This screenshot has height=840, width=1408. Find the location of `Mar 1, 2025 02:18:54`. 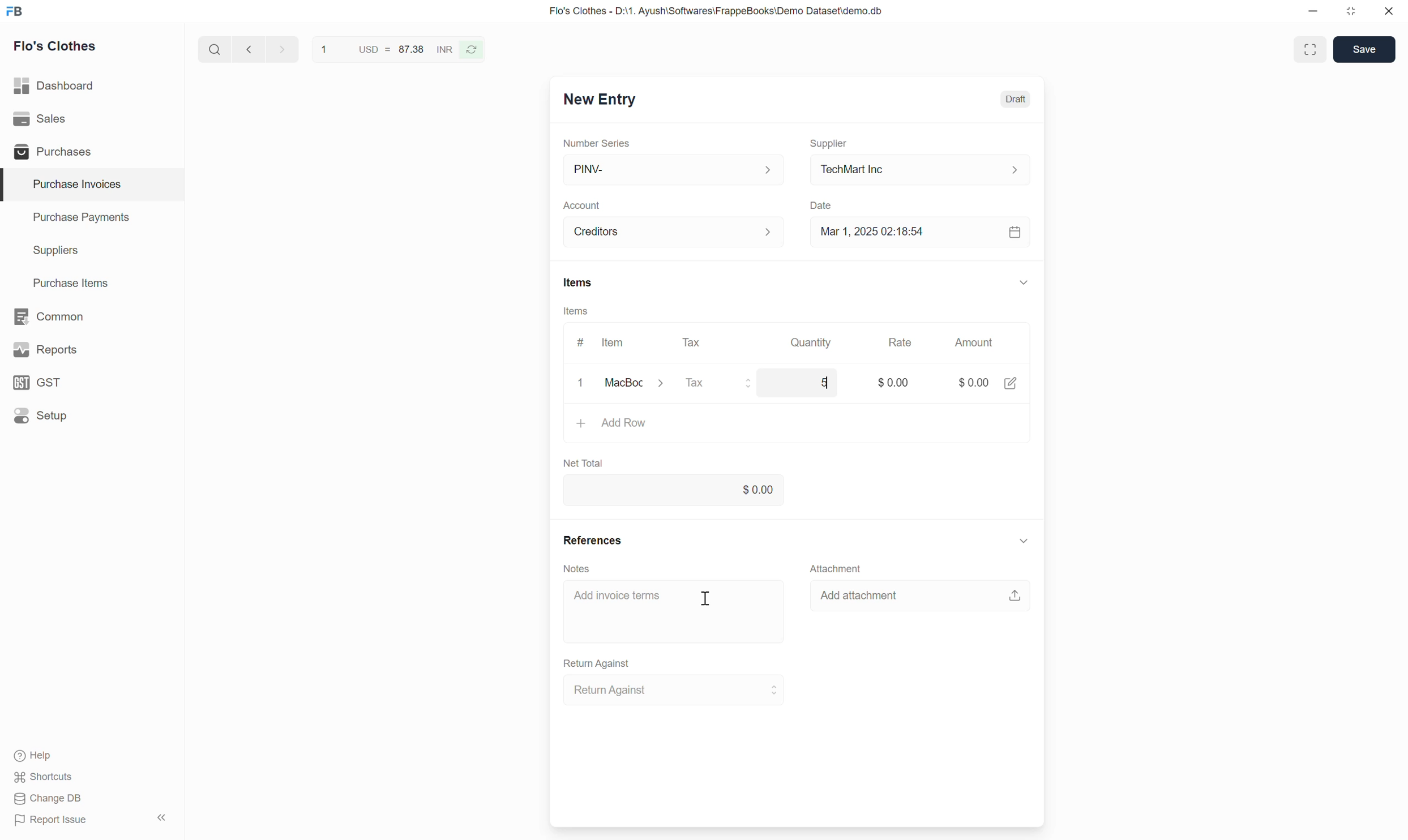

Mar 1, 2025 02:18:54 is located at coordinates (921, 231).